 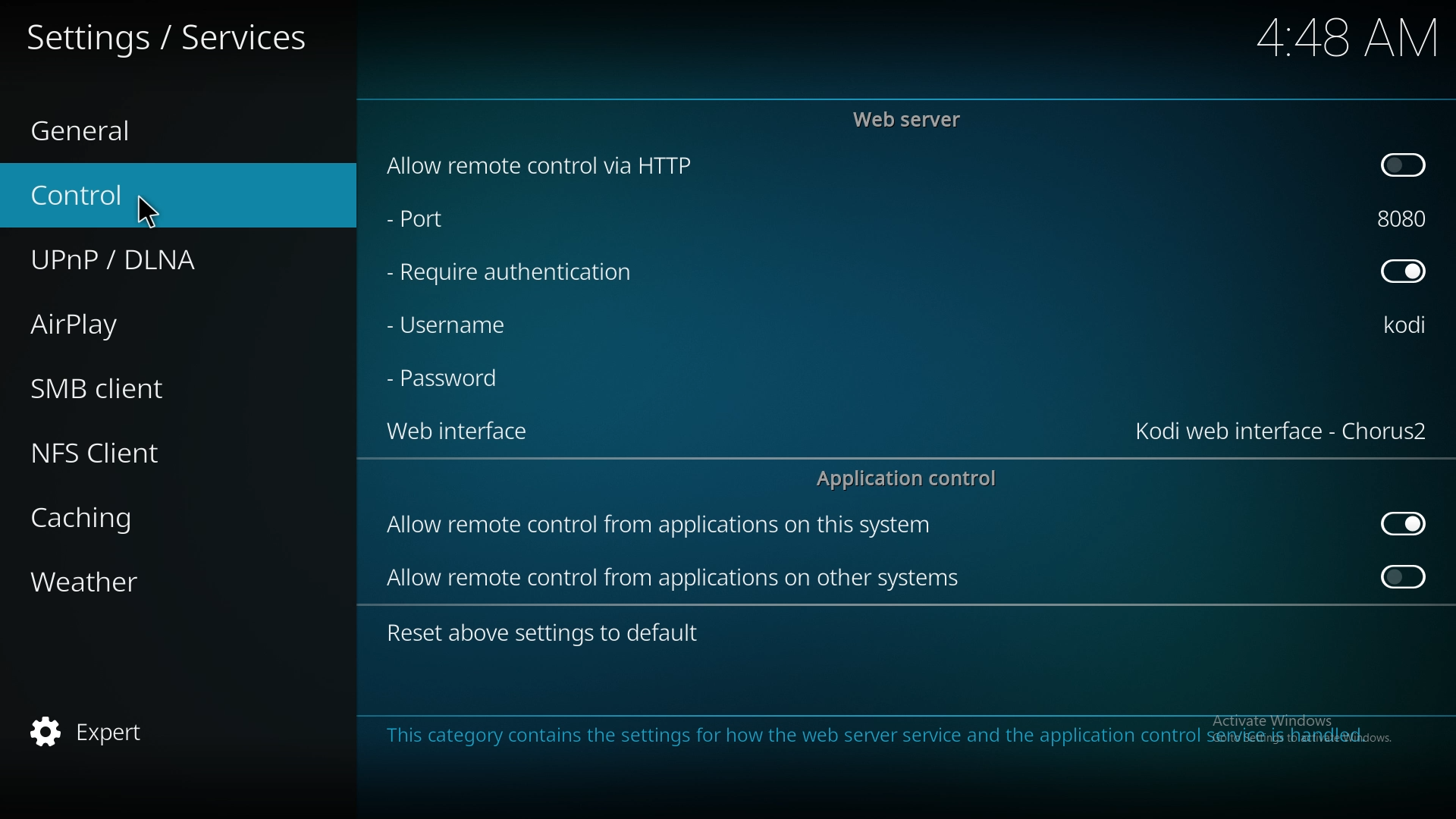 I want to click on , so click(x=1327, y=37).